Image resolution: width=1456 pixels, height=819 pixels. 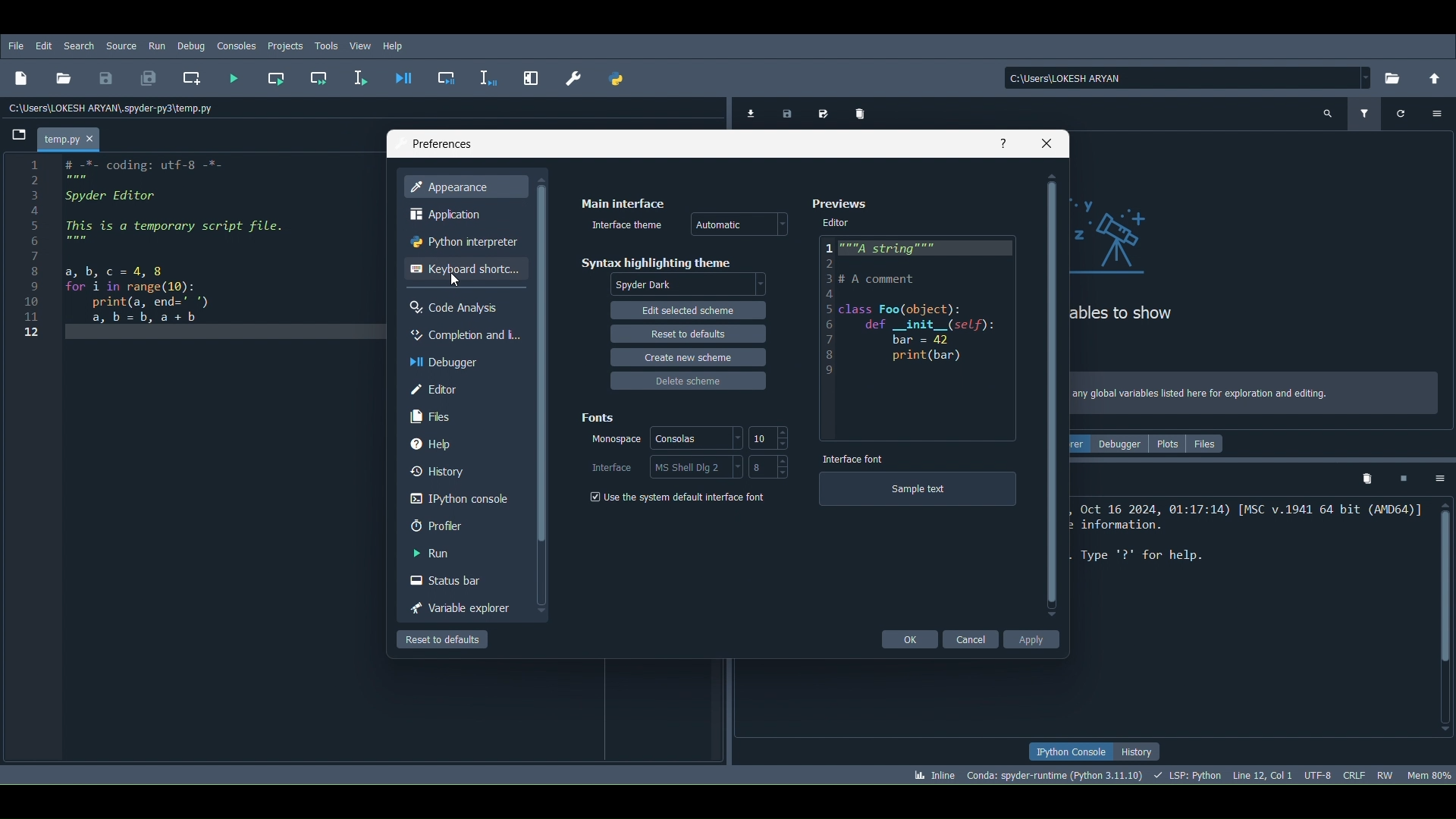 What do you see at coordinates (748, 112) in the screenshot?
I see `Import data` at bounding box center [748, 112].